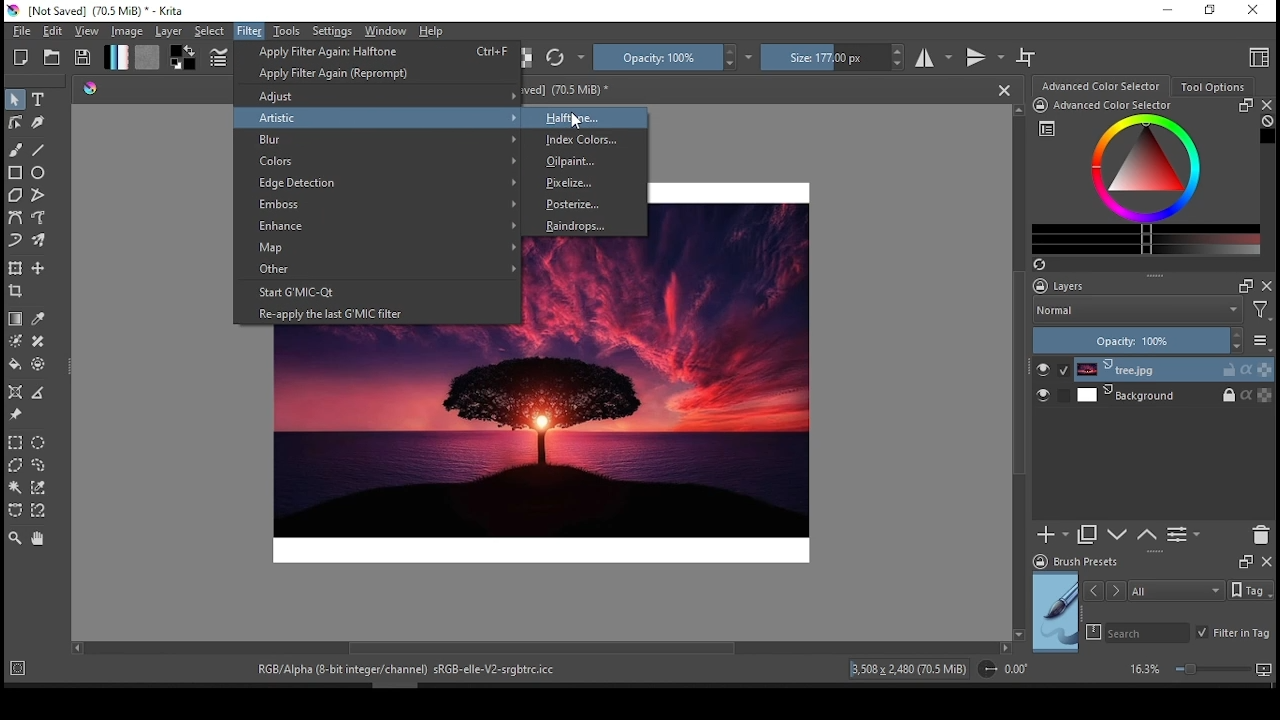 The image size is (1280, 720). What do you see at coordinates (15, 292) in the screenshot?
I see `crop the image to an area` at bounding box center [15, 292].